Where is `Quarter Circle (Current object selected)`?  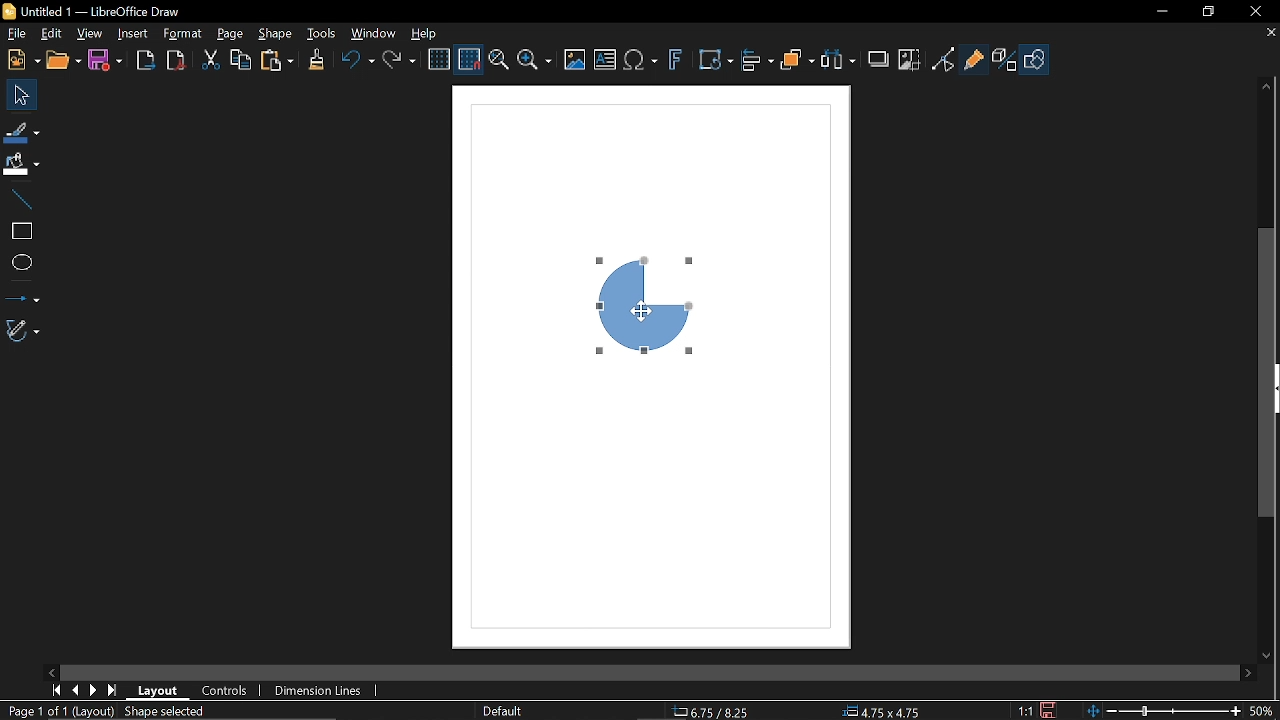
Quarter Circle (Current object selected) is located at coordinates (654, 300).